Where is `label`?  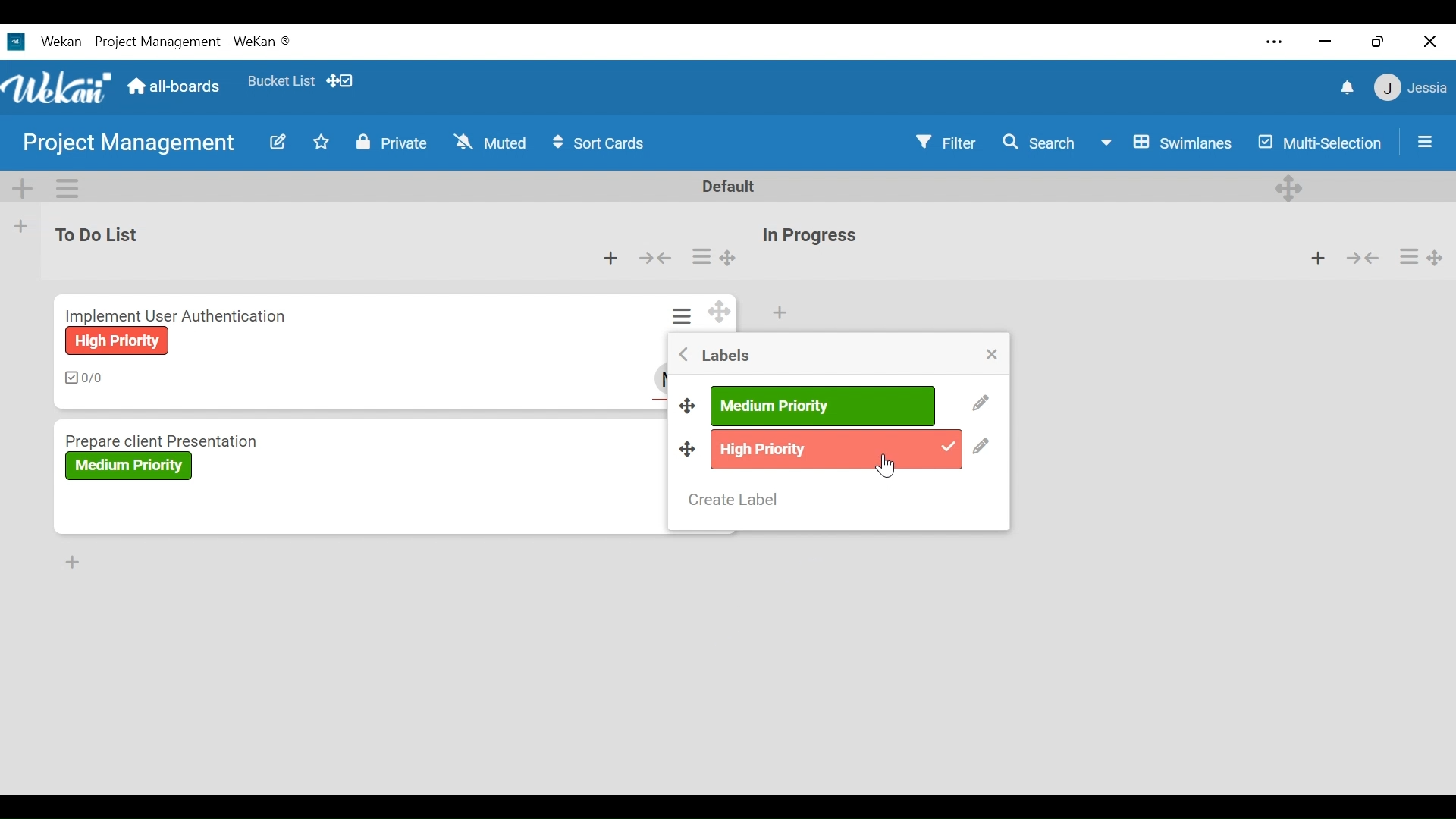
label is located at coordinates (821, 406).